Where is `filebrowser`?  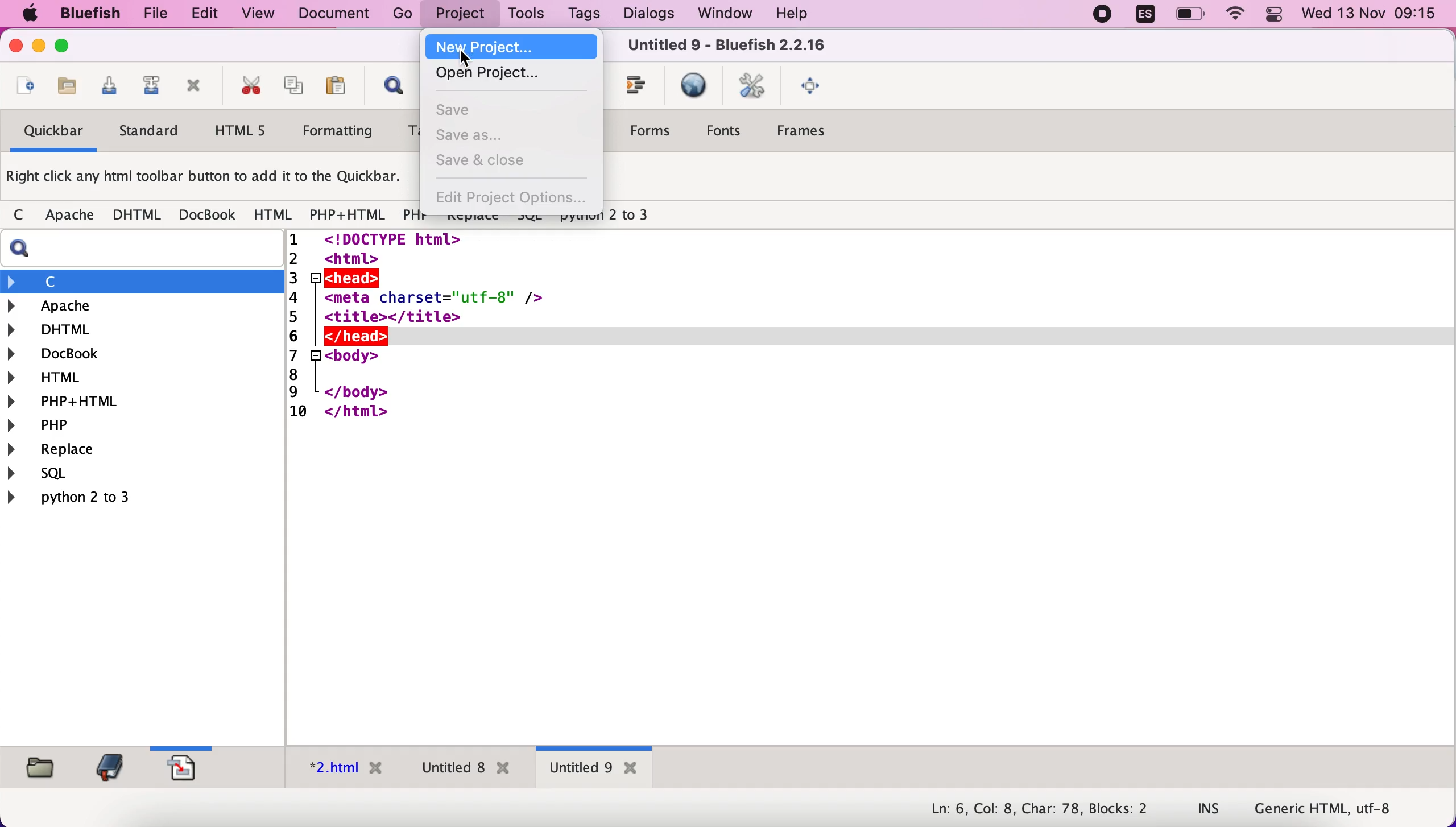
filebrowser is located at coordinates (36, 766).